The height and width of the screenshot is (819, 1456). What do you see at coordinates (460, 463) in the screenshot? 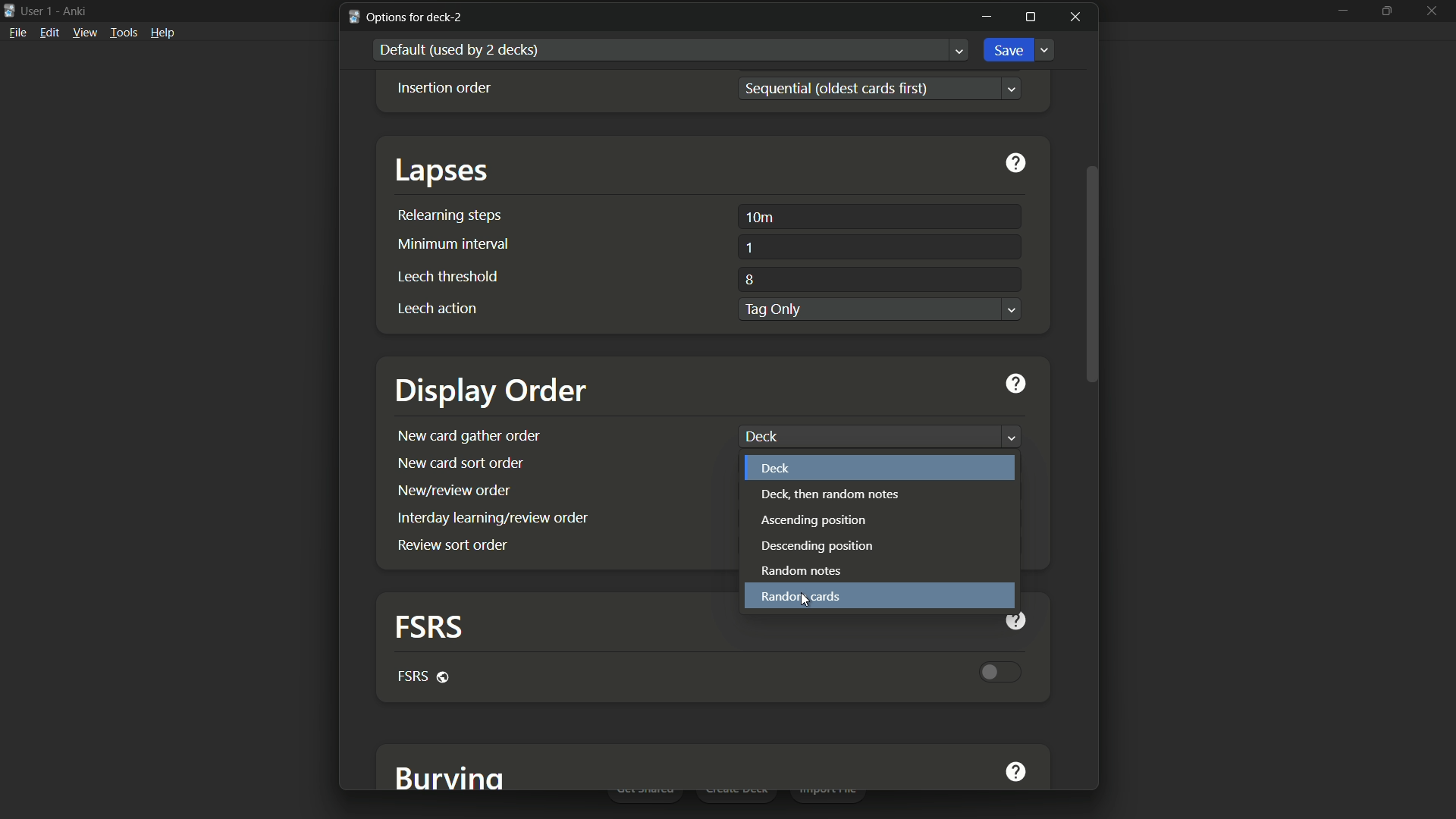
I see `new card sort order` at bounding box center [460, 463].